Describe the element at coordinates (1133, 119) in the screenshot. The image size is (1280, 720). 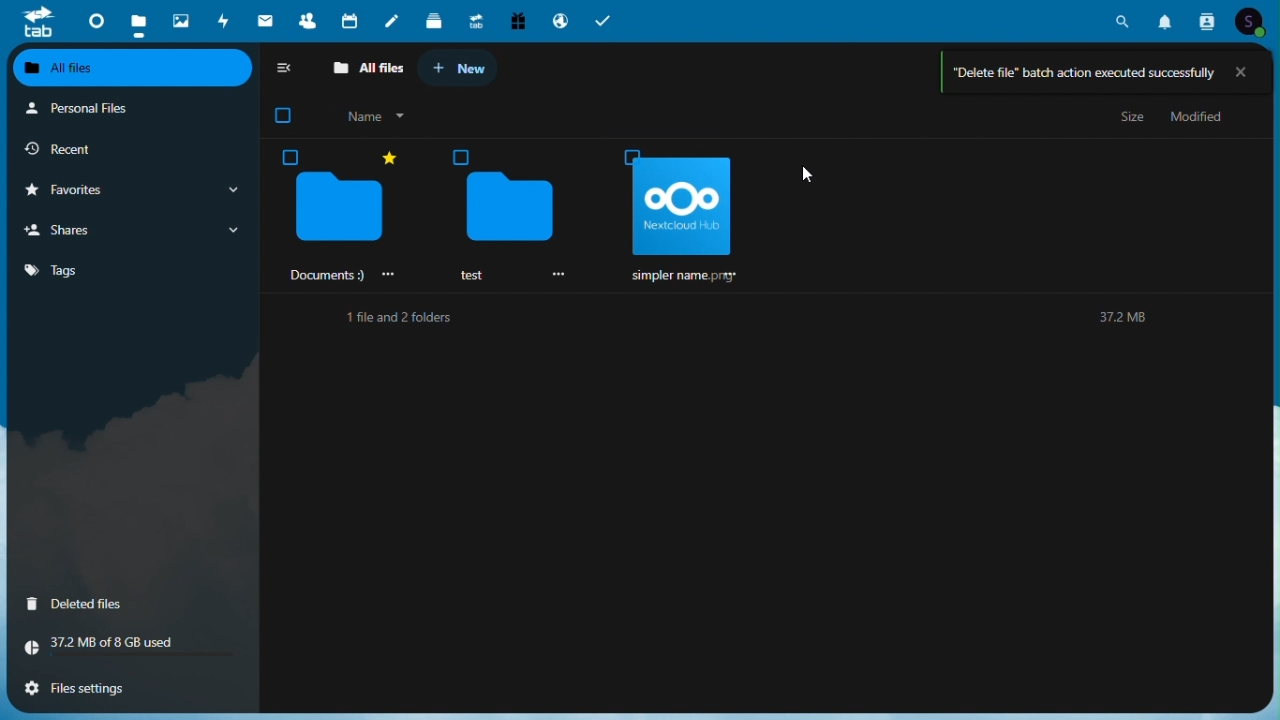
I see `size` at that location.